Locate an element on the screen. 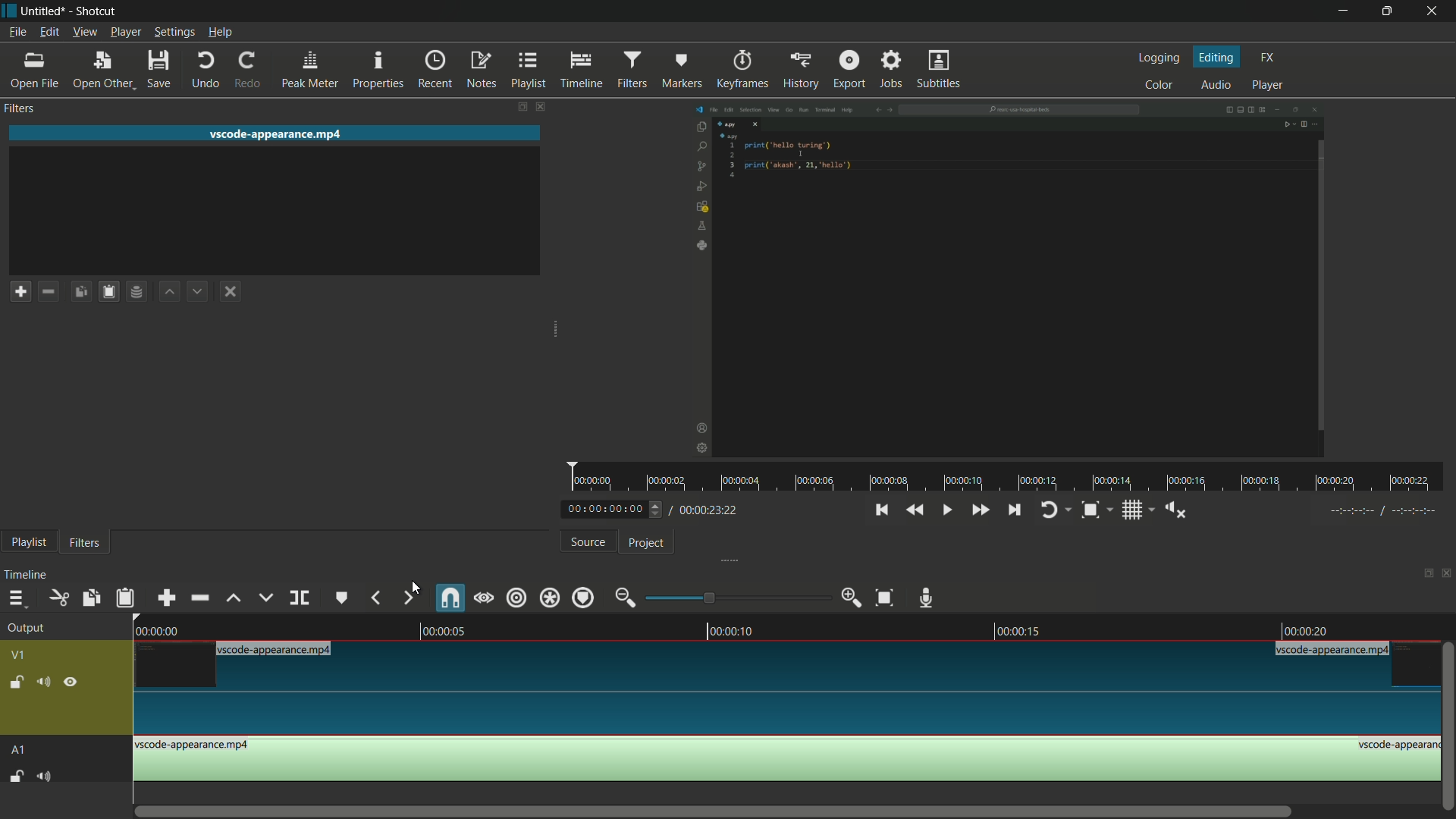  paste filters is located at coordinates (108, 291).